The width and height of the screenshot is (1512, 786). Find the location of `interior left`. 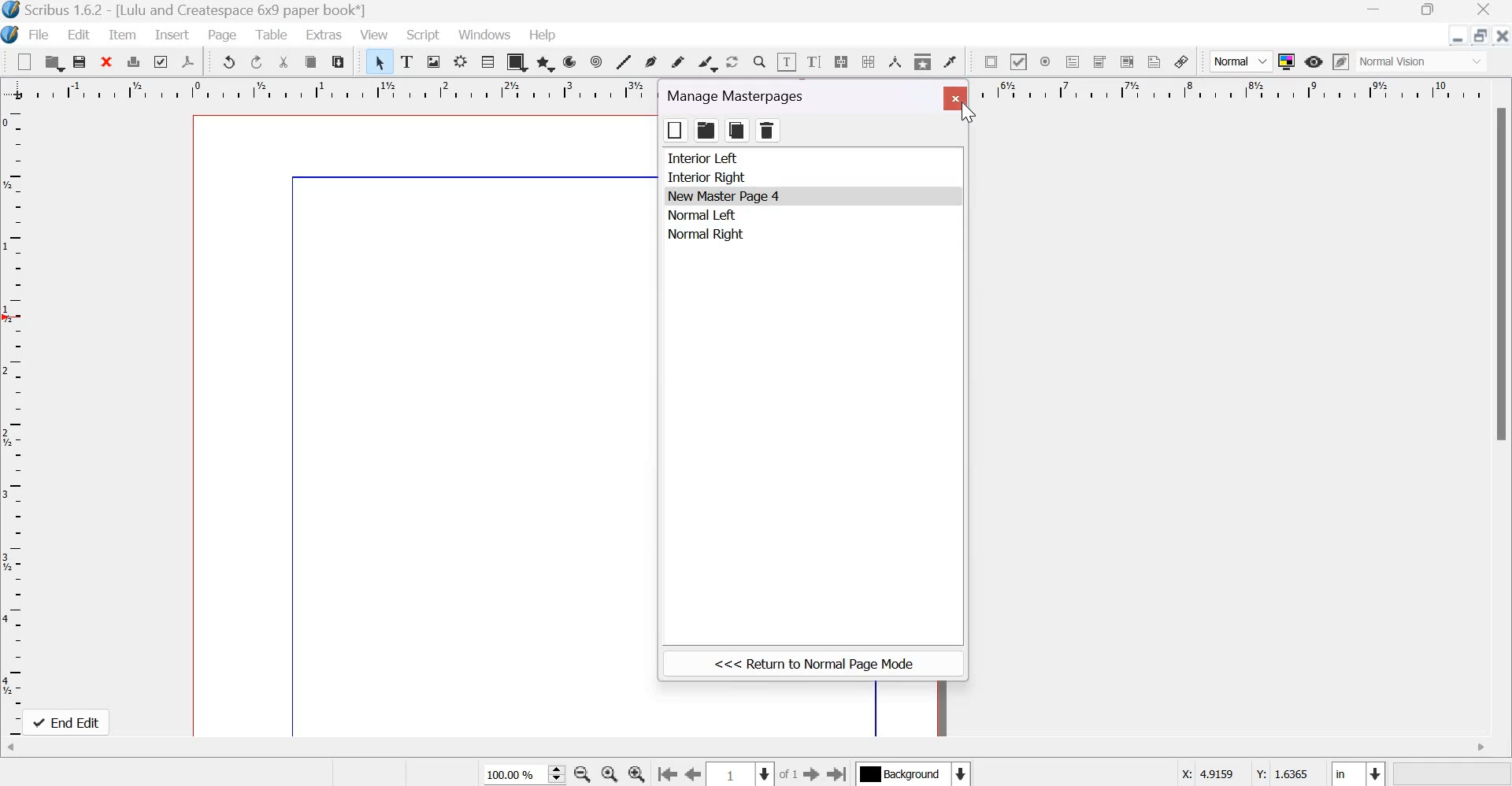

interior left is located at coordinates (707, 158).